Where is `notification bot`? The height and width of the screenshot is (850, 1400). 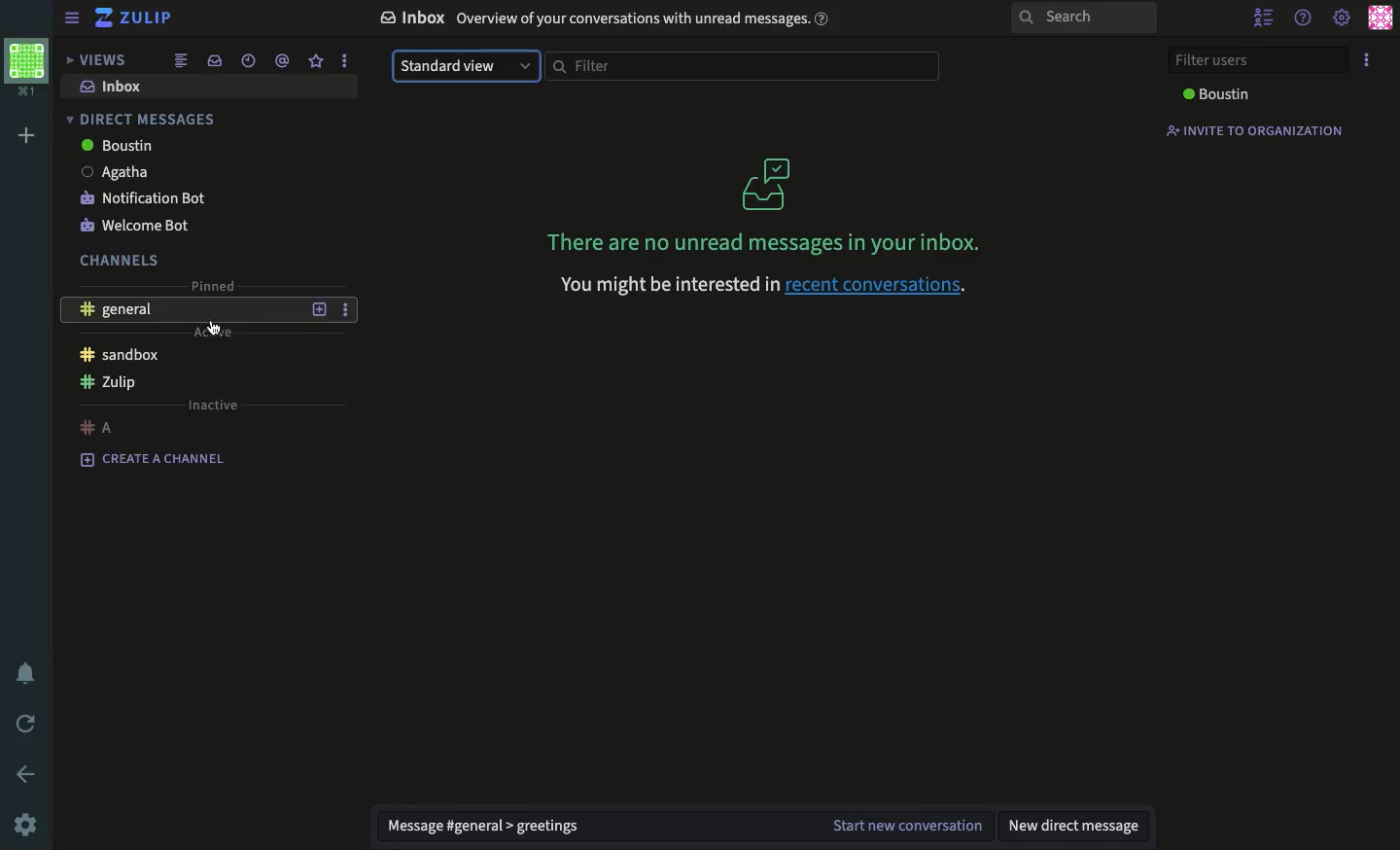 notification bot is located at coordinates (144, 195).